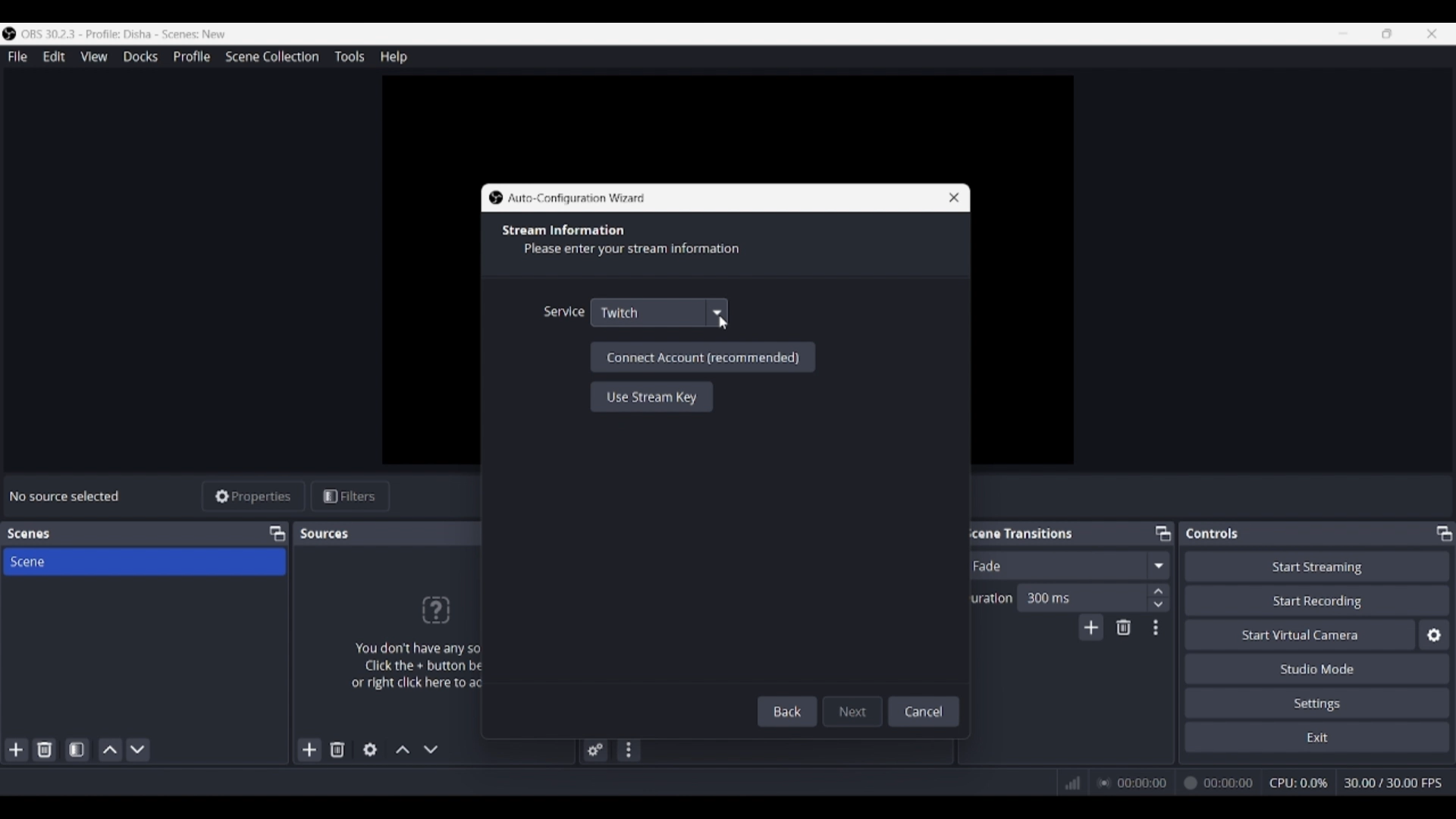 The height and width of the screenshot is (819, 1456). I want to click on Open source properties, so click(370, 750).